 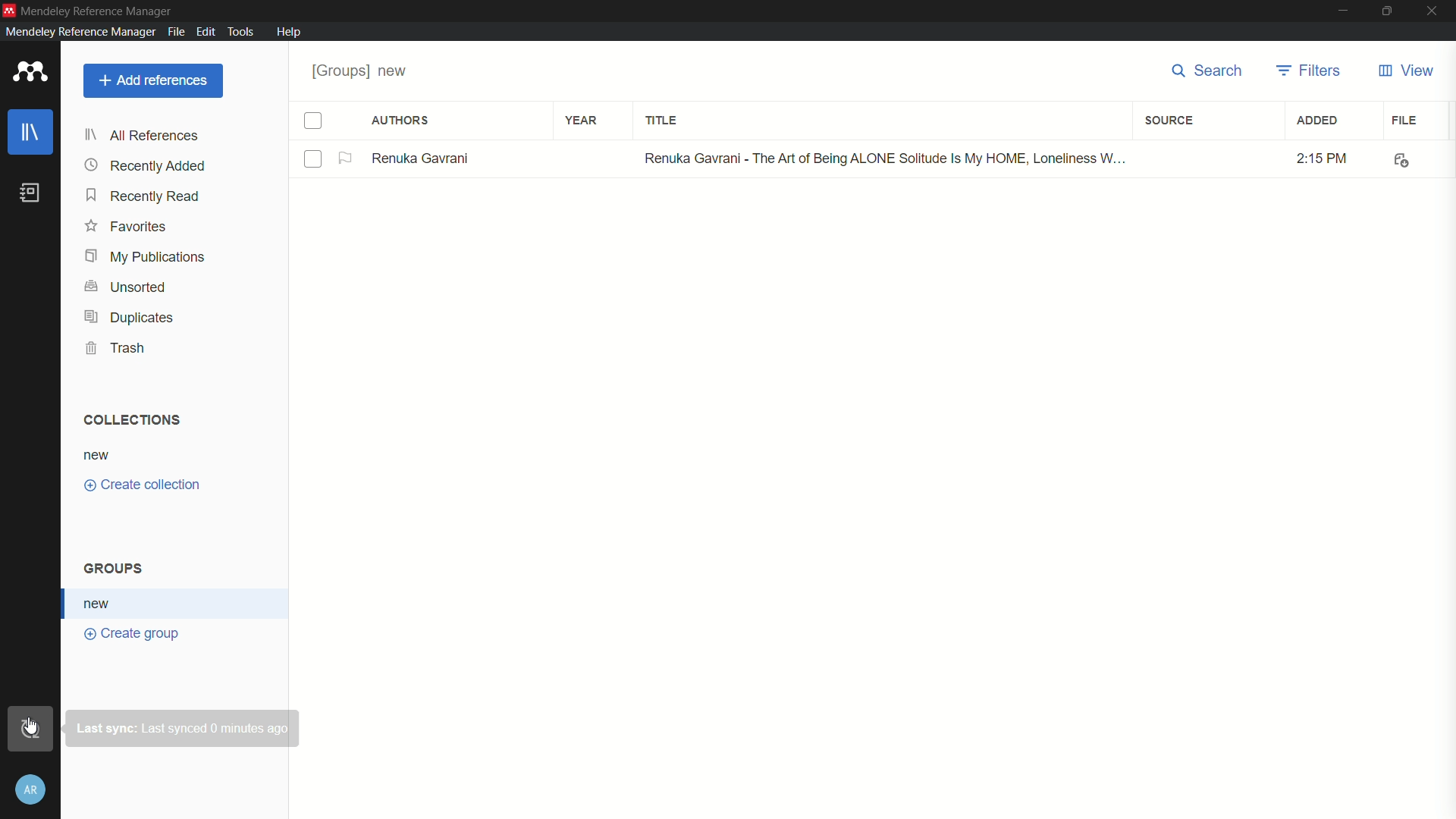 What do you see at coordinates (1311, 73) in the screenshot?
I see `filters` at bounding box center [1311, 73].